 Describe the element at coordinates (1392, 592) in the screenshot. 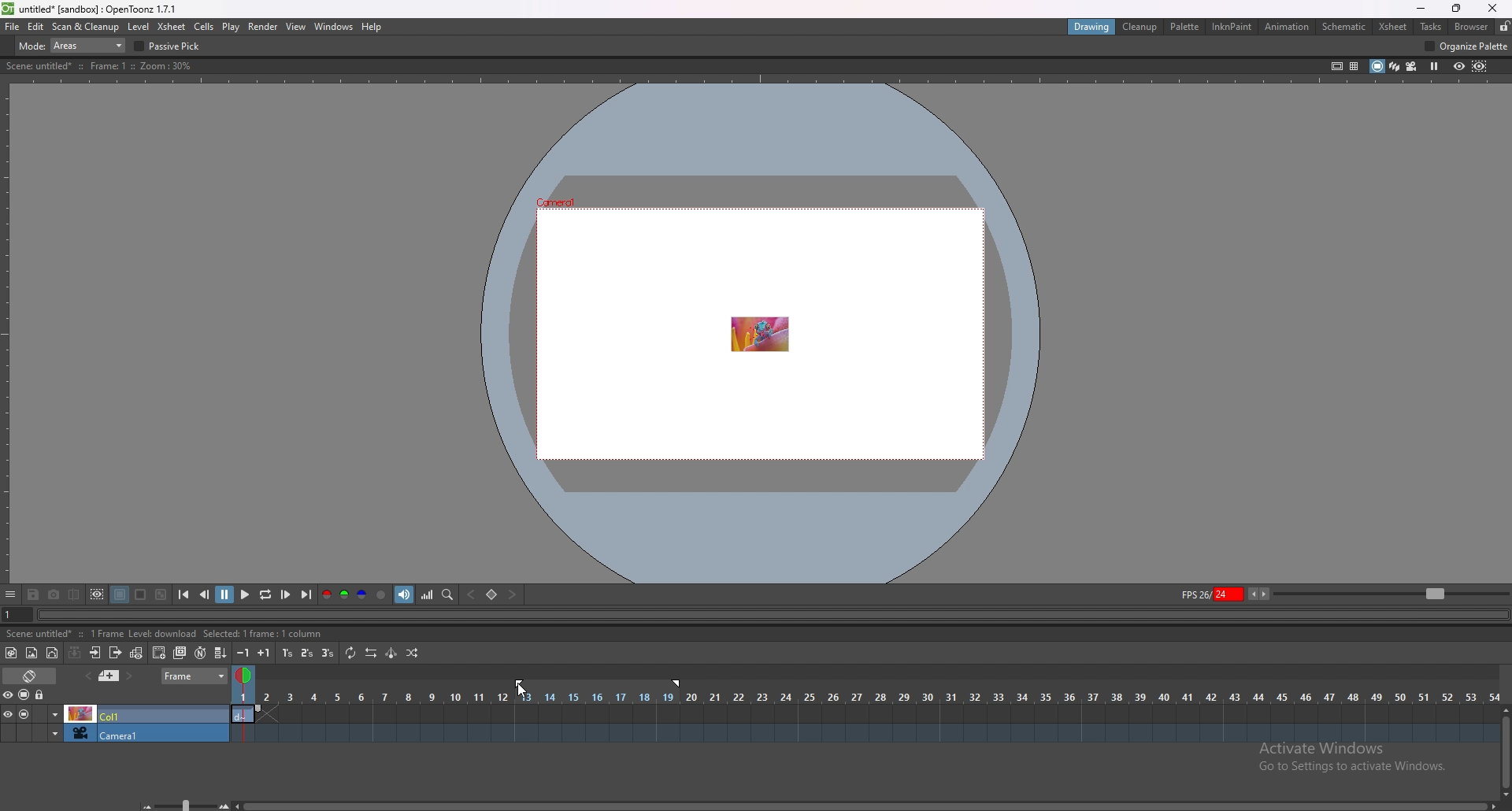

I see `zoom` at that location.